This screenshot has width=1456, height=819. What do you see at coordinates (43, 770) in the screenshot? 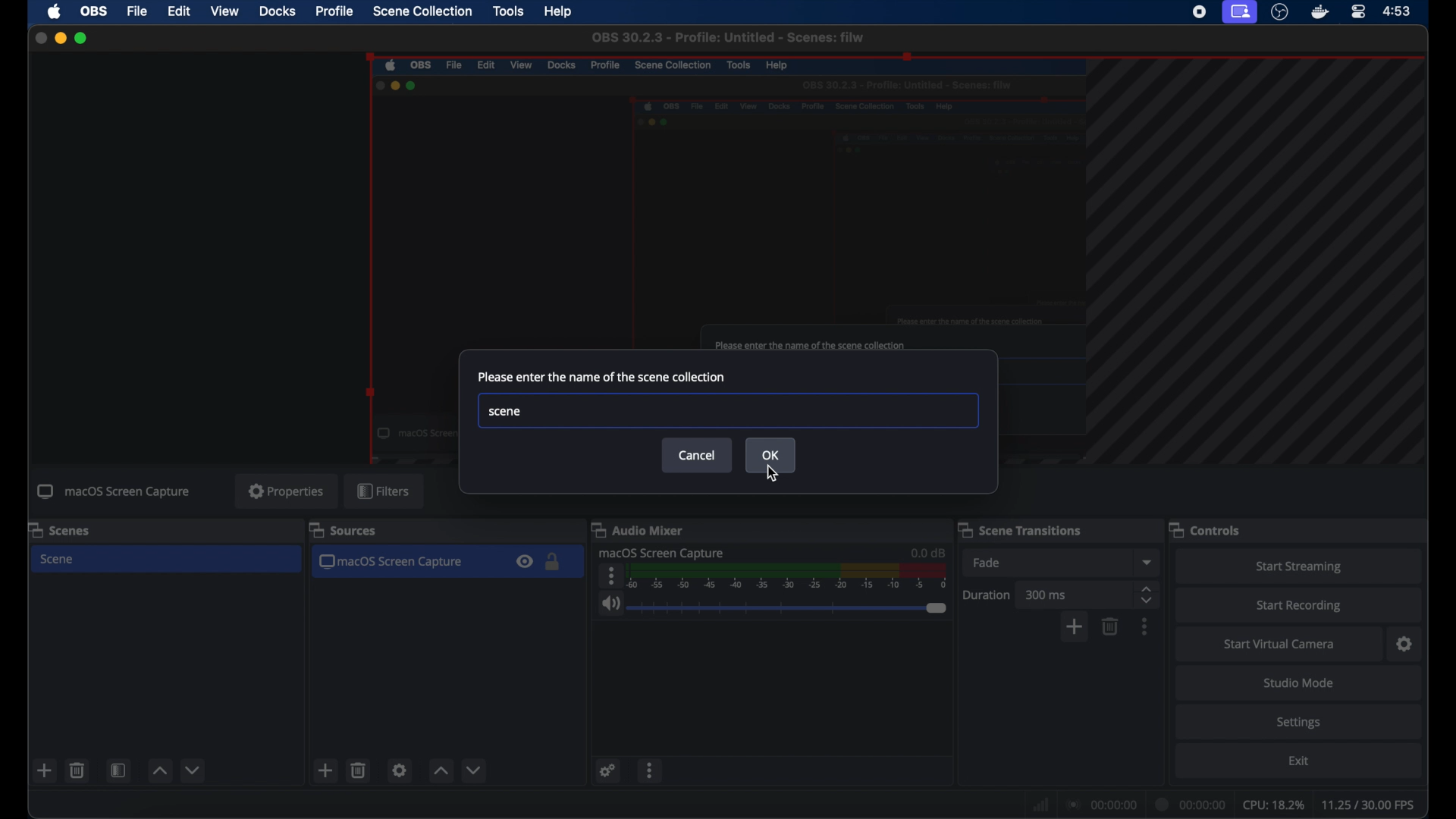
I see `new ` at bounding box center [43, 770].